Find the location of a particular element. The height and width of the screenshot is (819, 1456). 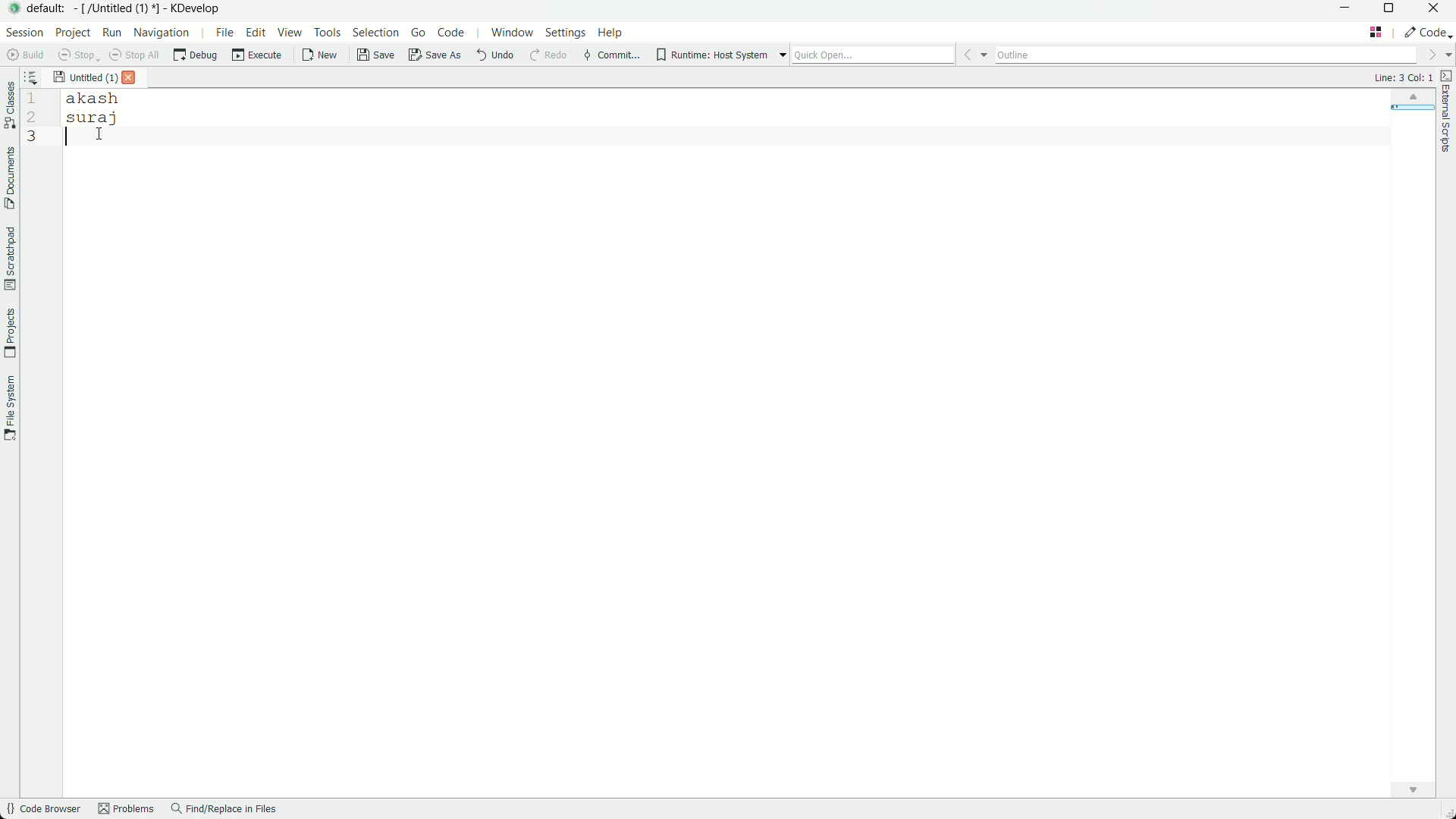

code menu is located at coordinates (450, 32).